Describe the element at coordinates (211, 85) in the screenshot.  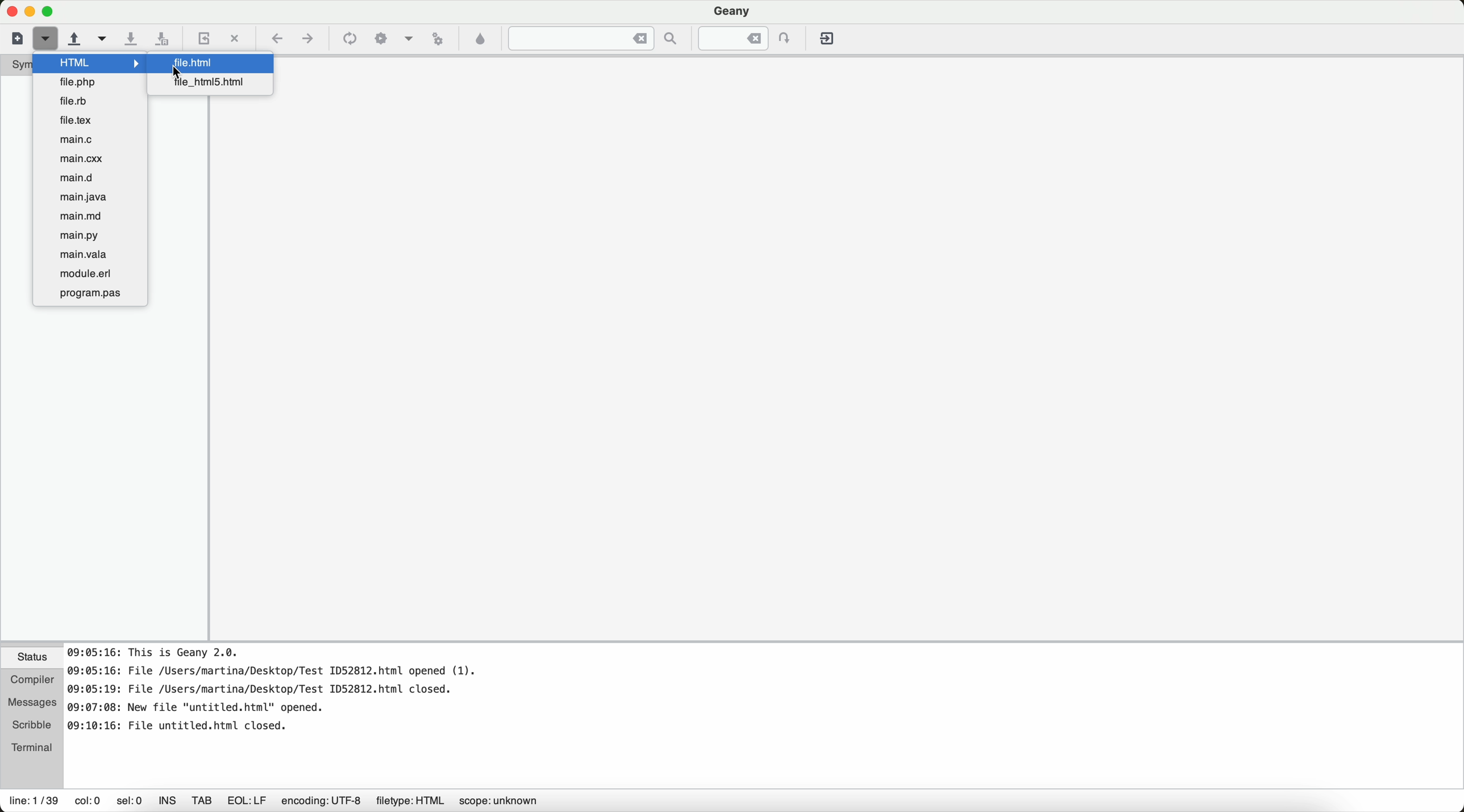
I see `file_html5.html` at that location.